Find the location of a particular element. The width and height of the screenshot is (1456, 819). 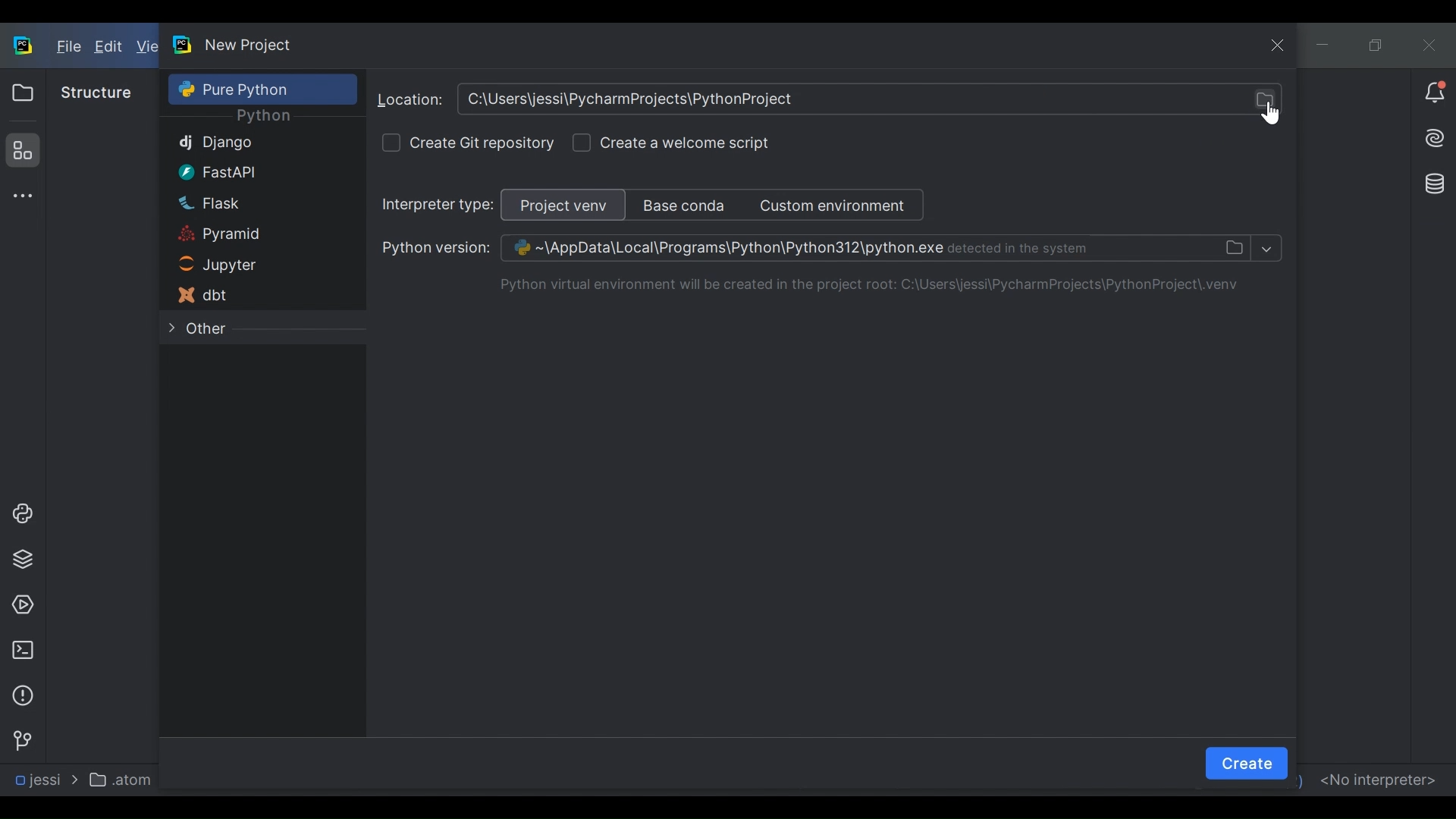

(un)check Create a welcome script is located at coordinates (686, 142).